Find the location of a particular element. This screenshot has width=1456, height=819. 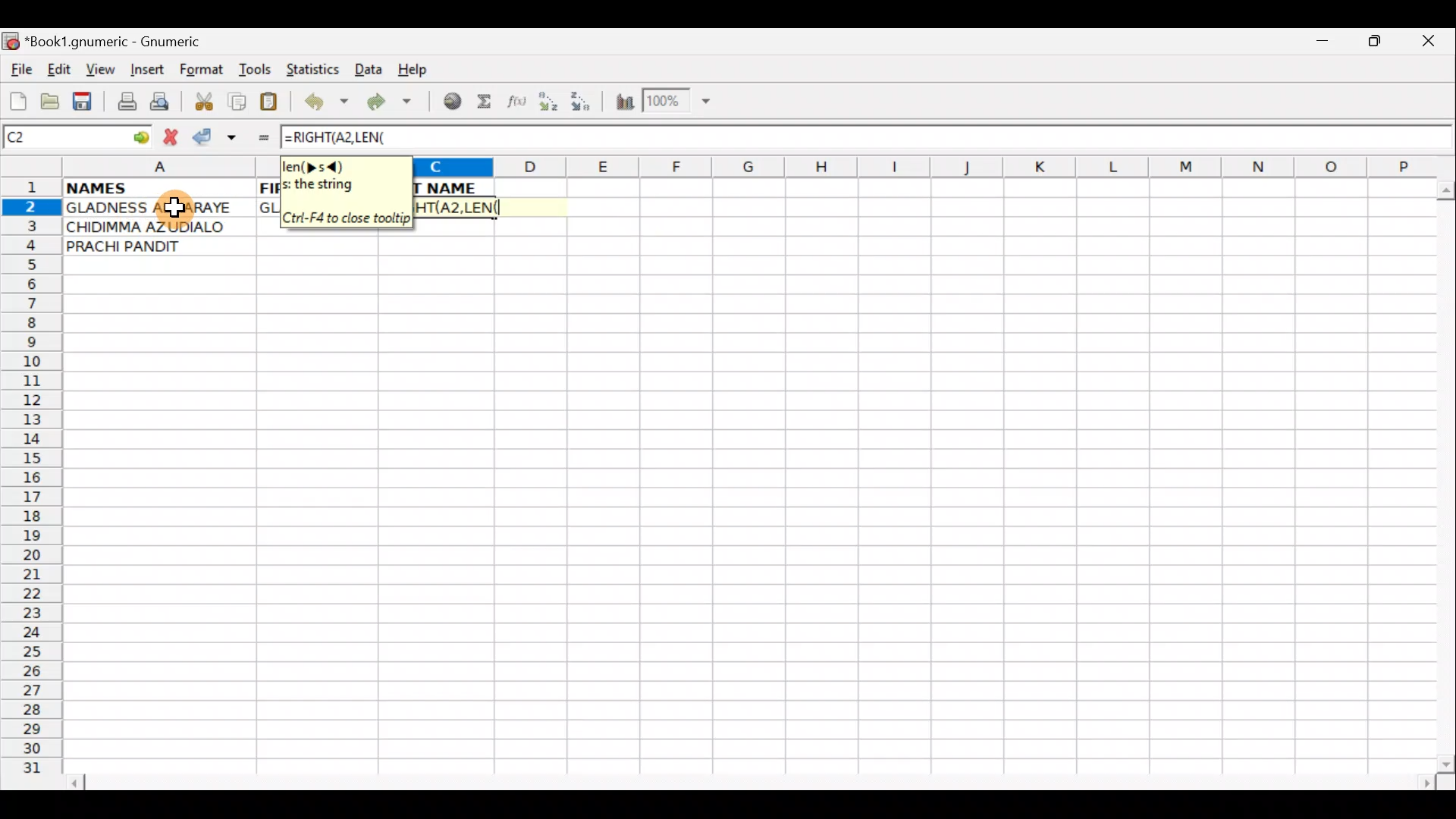

Save current workbook is located at coordinates (86, 102).